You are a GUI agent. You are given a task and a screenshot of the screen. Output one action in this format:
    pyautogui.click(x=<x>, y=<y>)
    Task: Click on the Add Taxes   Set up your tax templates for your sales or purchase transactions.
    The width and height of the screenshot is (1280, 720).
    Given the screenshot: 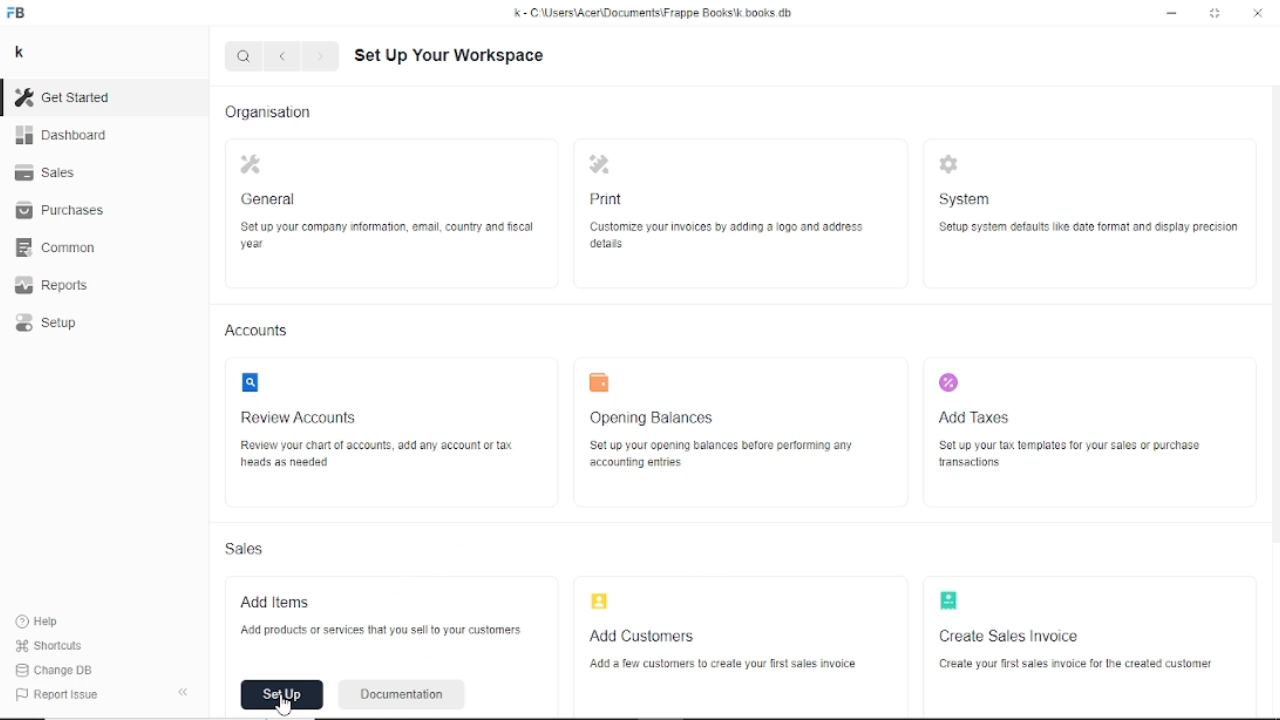 What is the action you would take?
    pyautogui.click(x=1066, y=426)
    